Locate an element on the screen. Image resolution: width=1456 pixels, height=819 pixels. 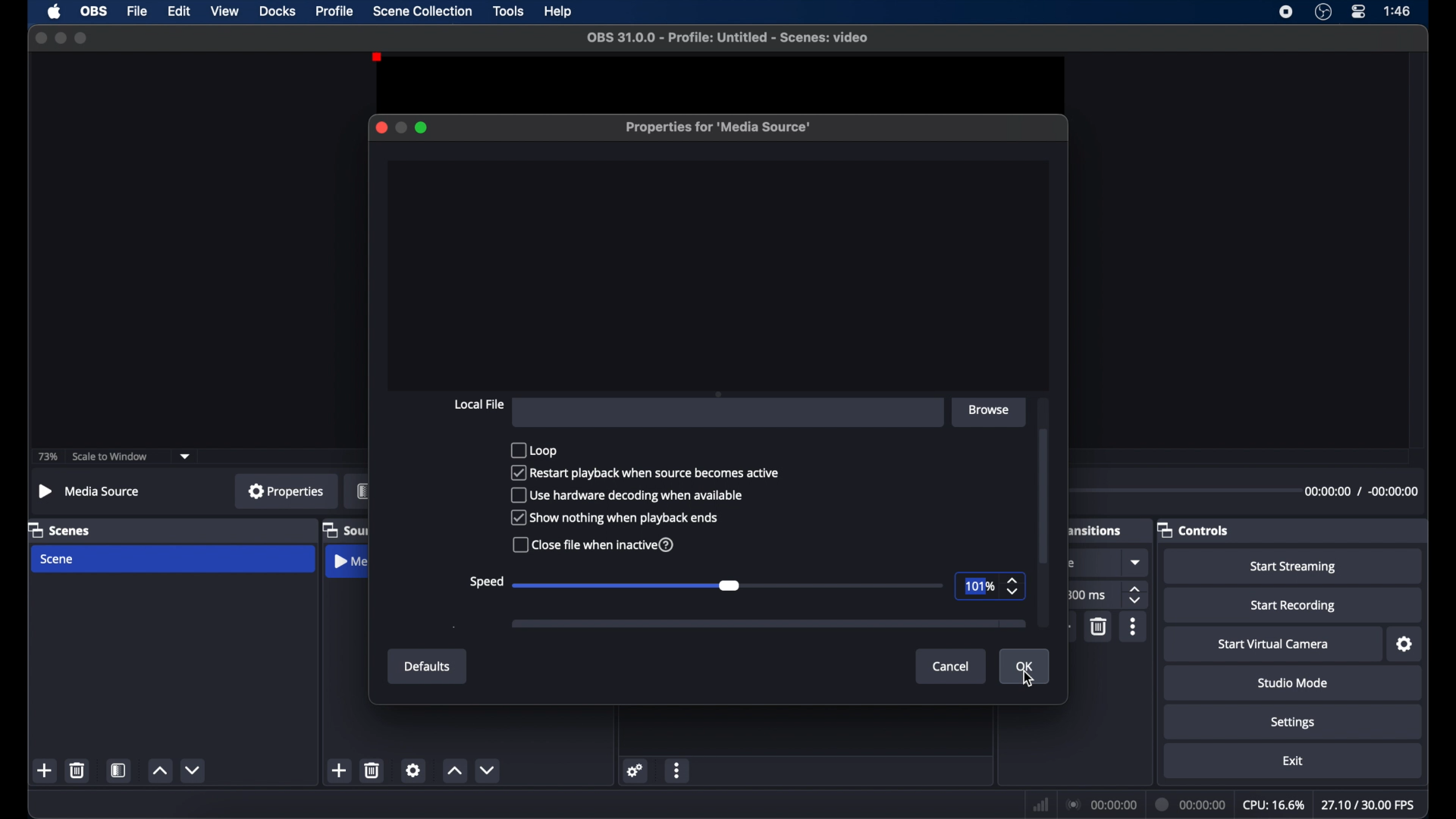
local file is located at coordinates (479, 405).